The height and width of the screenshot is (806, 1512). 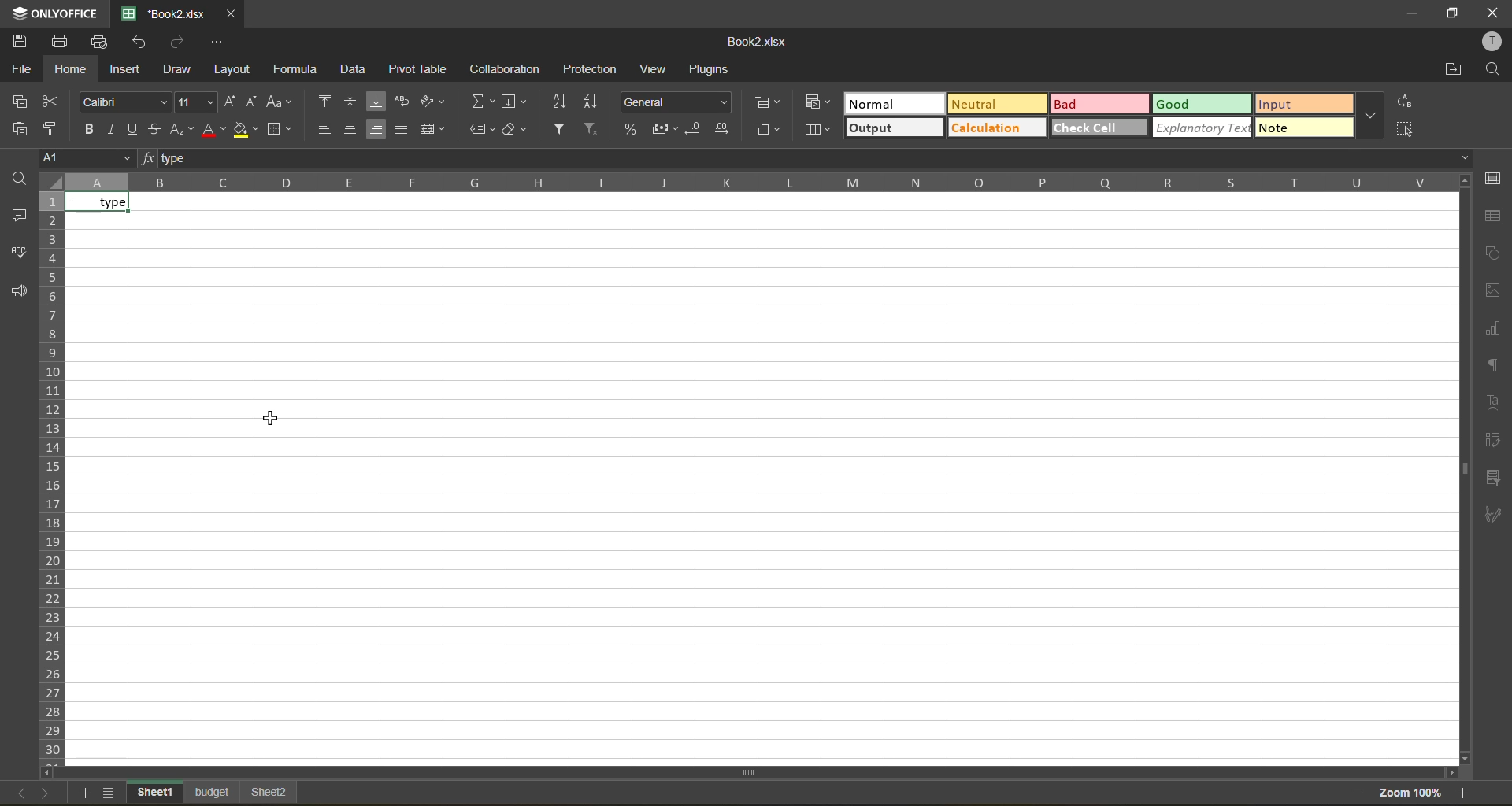 What do you see at coordinates (112, 794) in the screenshot?
I see `sheet list` at bounding box center [112, 794].